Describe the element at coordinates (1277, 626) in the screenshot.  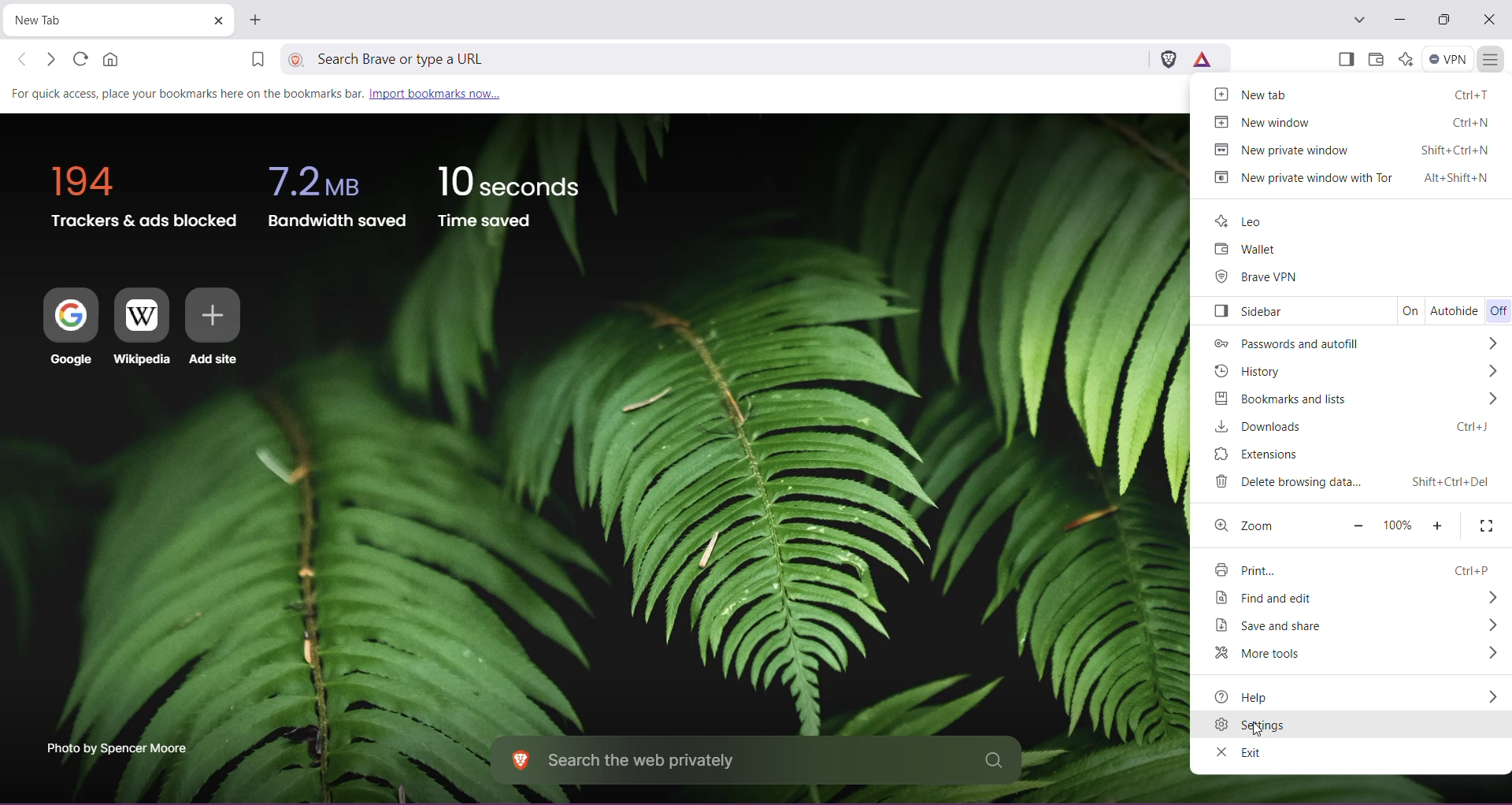
I see `Save and share` at that location.